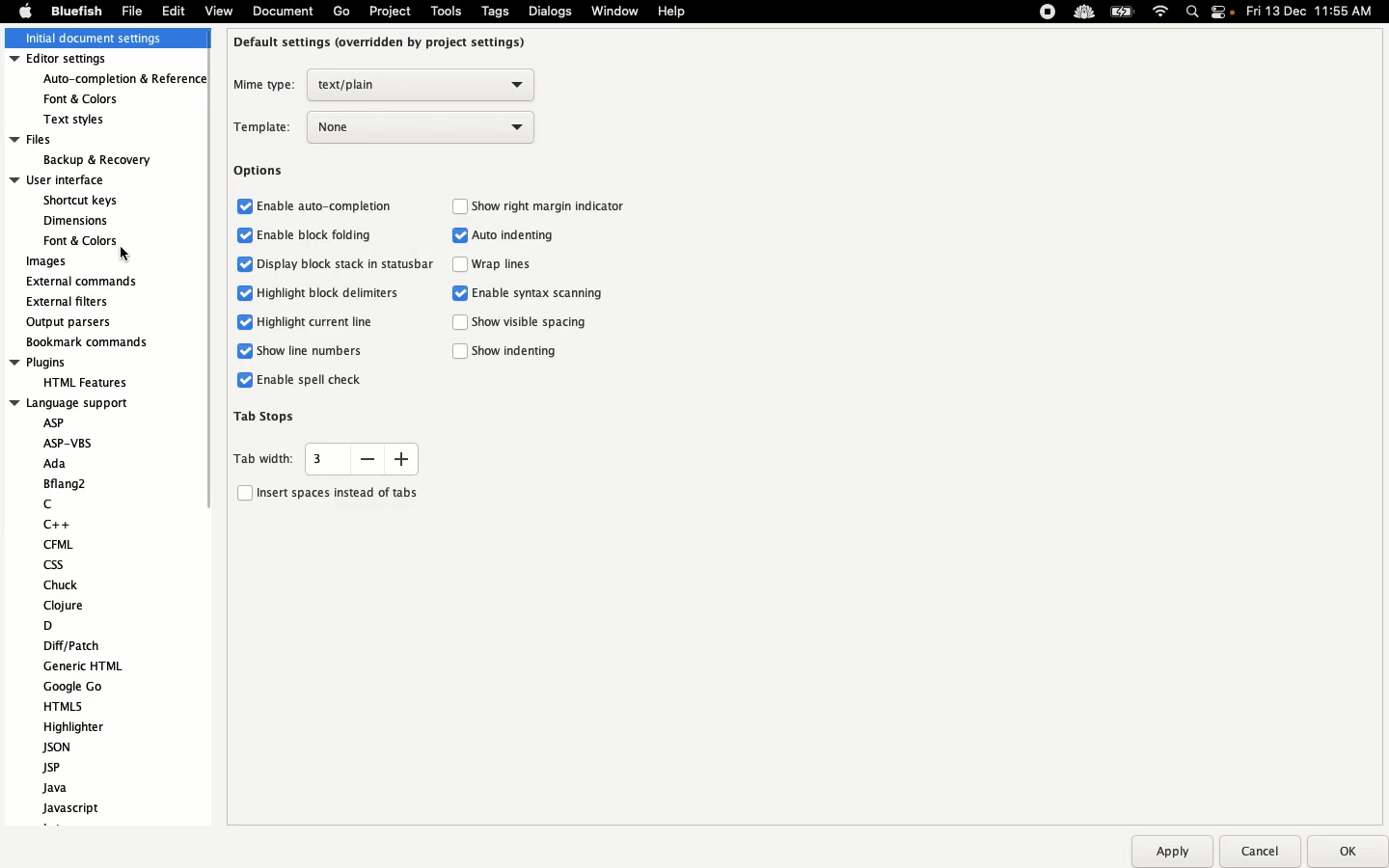  Describe the element at coordinates (497, 11) in the screenshot. I see `Tags` at that location.